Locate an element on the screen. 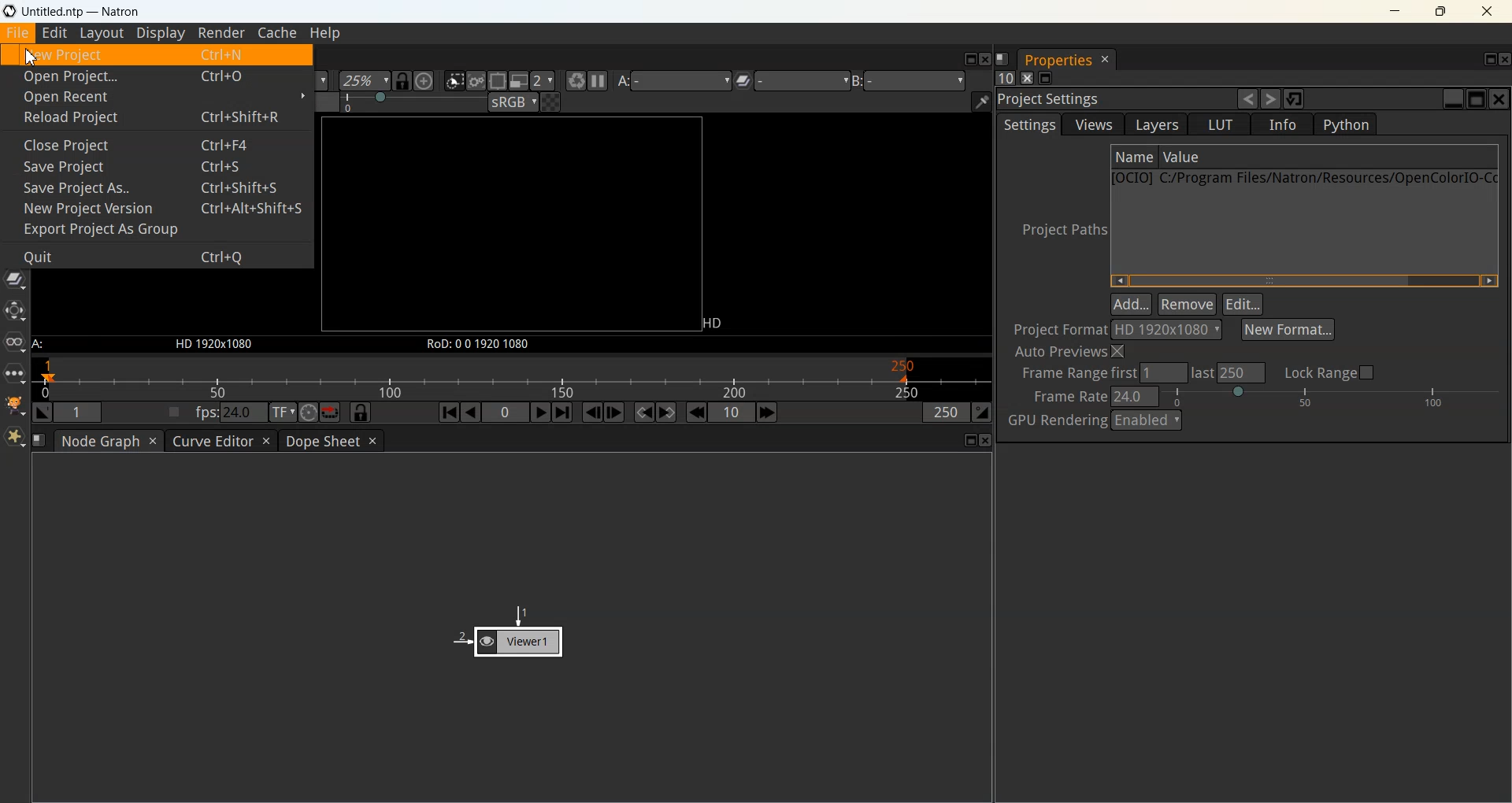 Image resolution: width=1512 pixels, height=803 pixels. sRGB is located at coordinates (513, 102).